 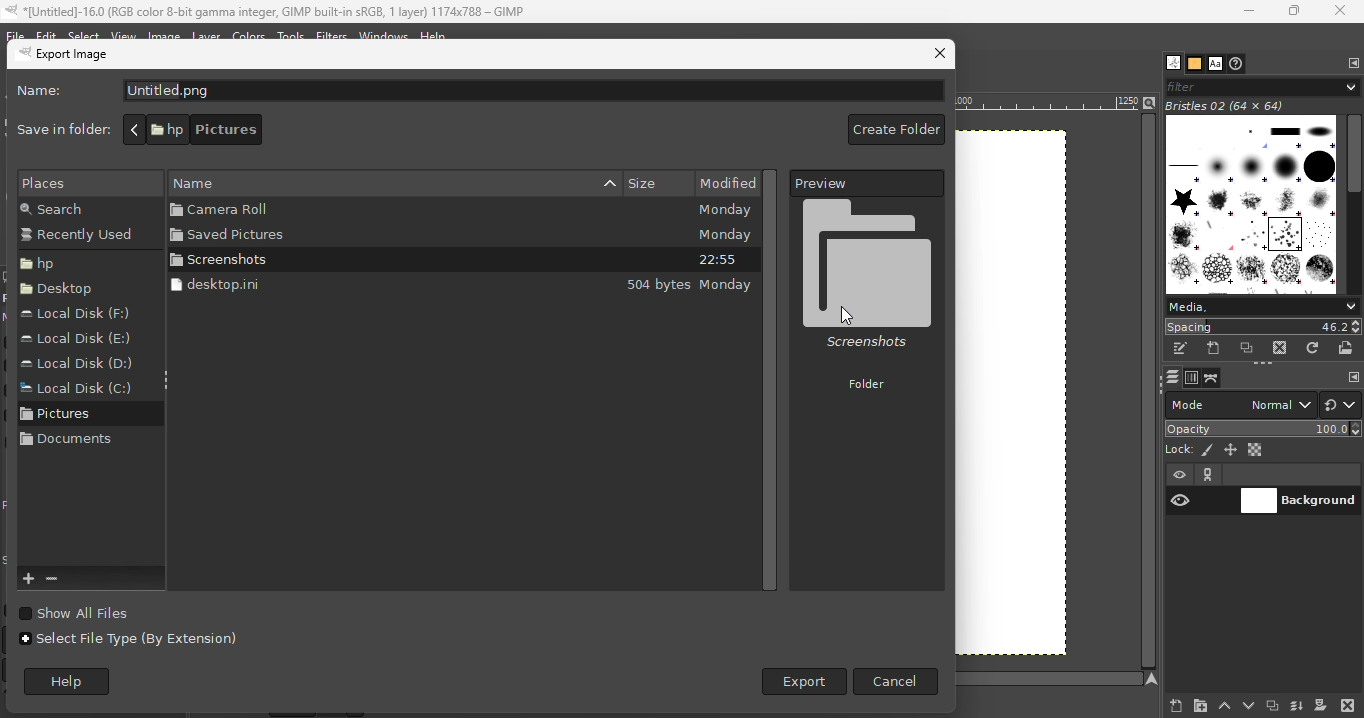 I want to click on Create folder, so click(x=893, y=131).